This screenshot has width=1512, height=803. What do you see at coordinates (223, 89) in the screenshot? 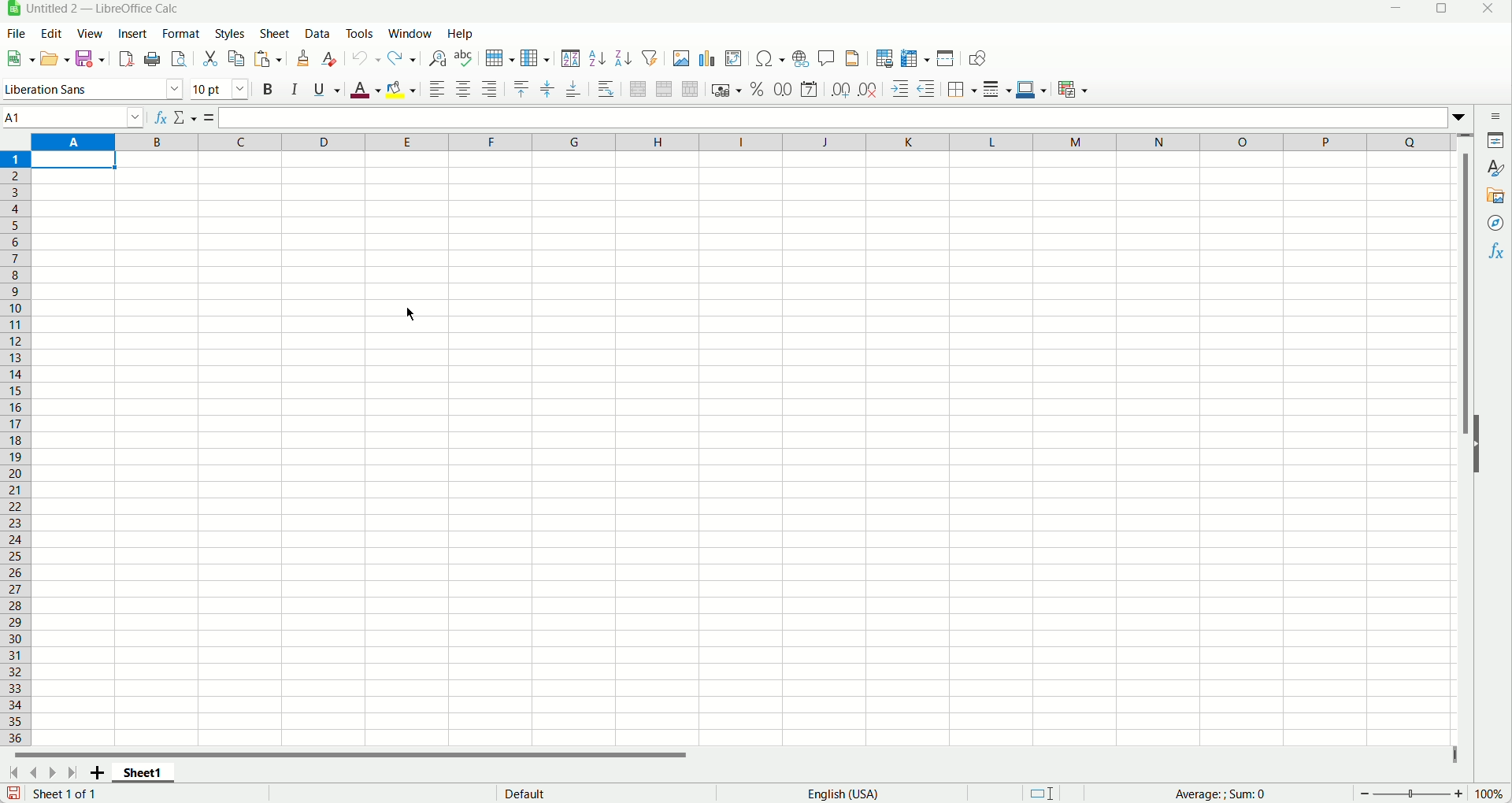
I see `Font size` at bounding box center [223, 89].